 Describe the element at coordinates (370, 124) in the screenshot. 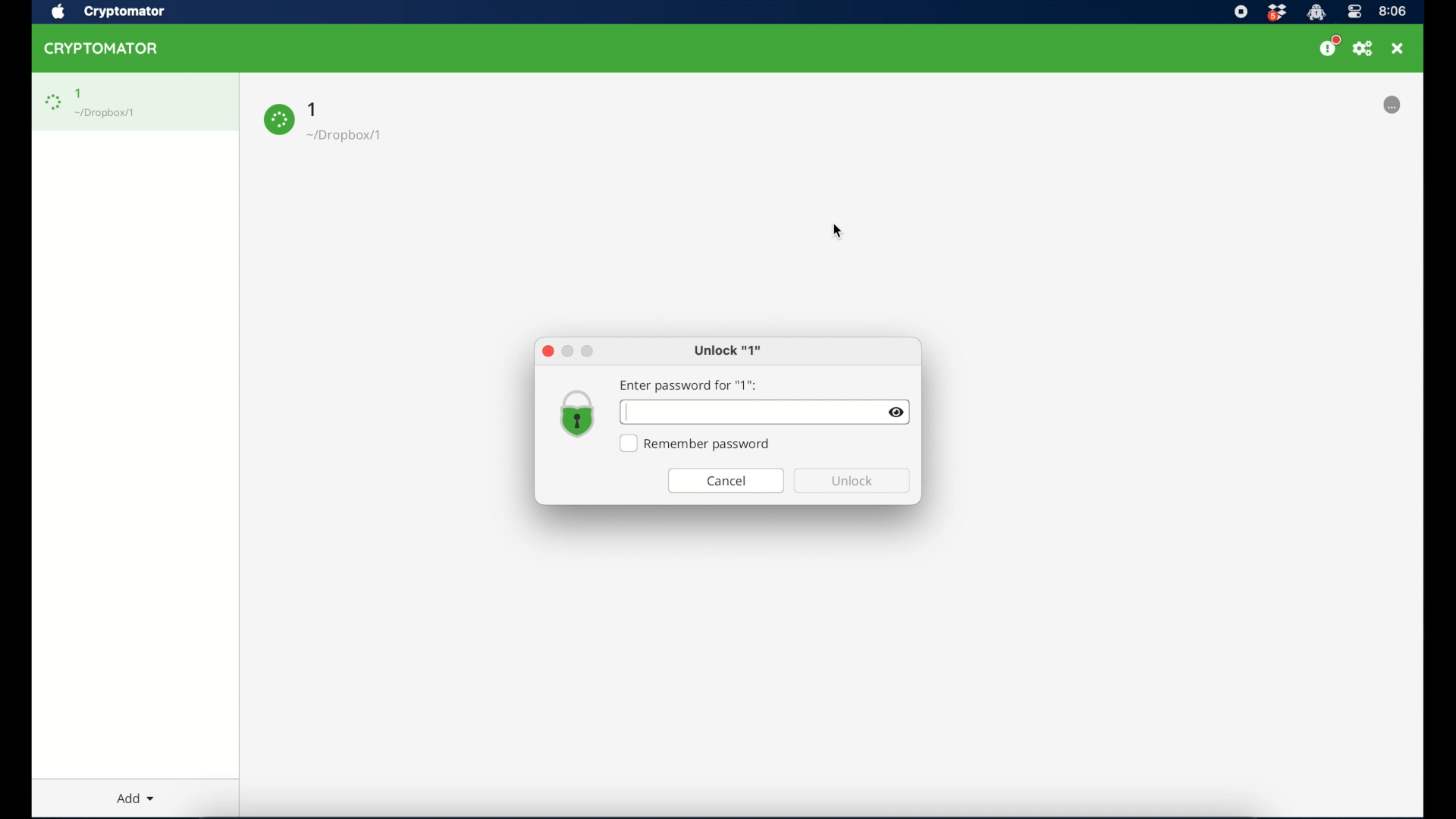

I see `1 Dropbox/1` at that location.